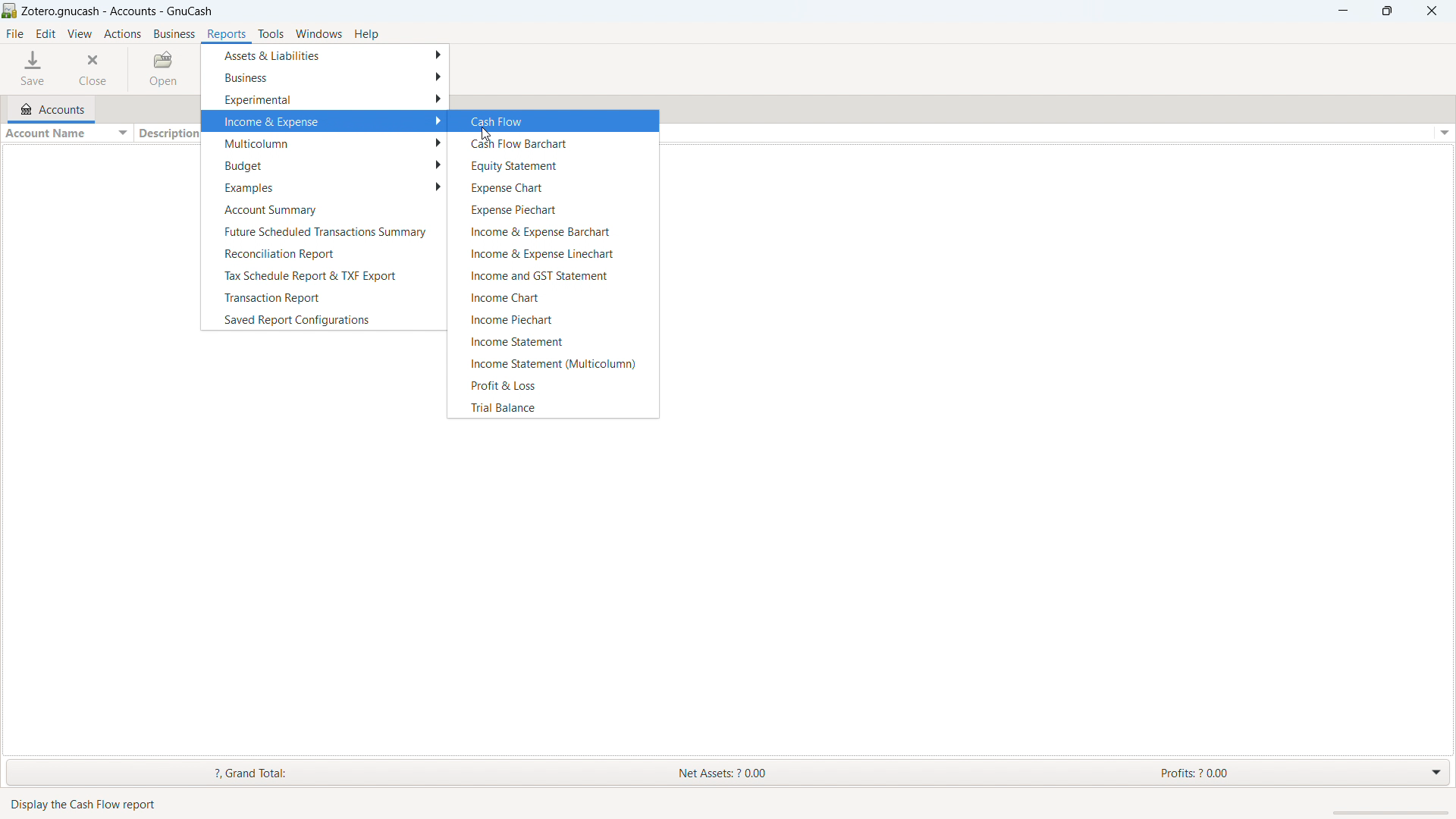 This screenshot has width=1456, height=819. I want to click on tax schedule report and TXF export, so click(322, 275).